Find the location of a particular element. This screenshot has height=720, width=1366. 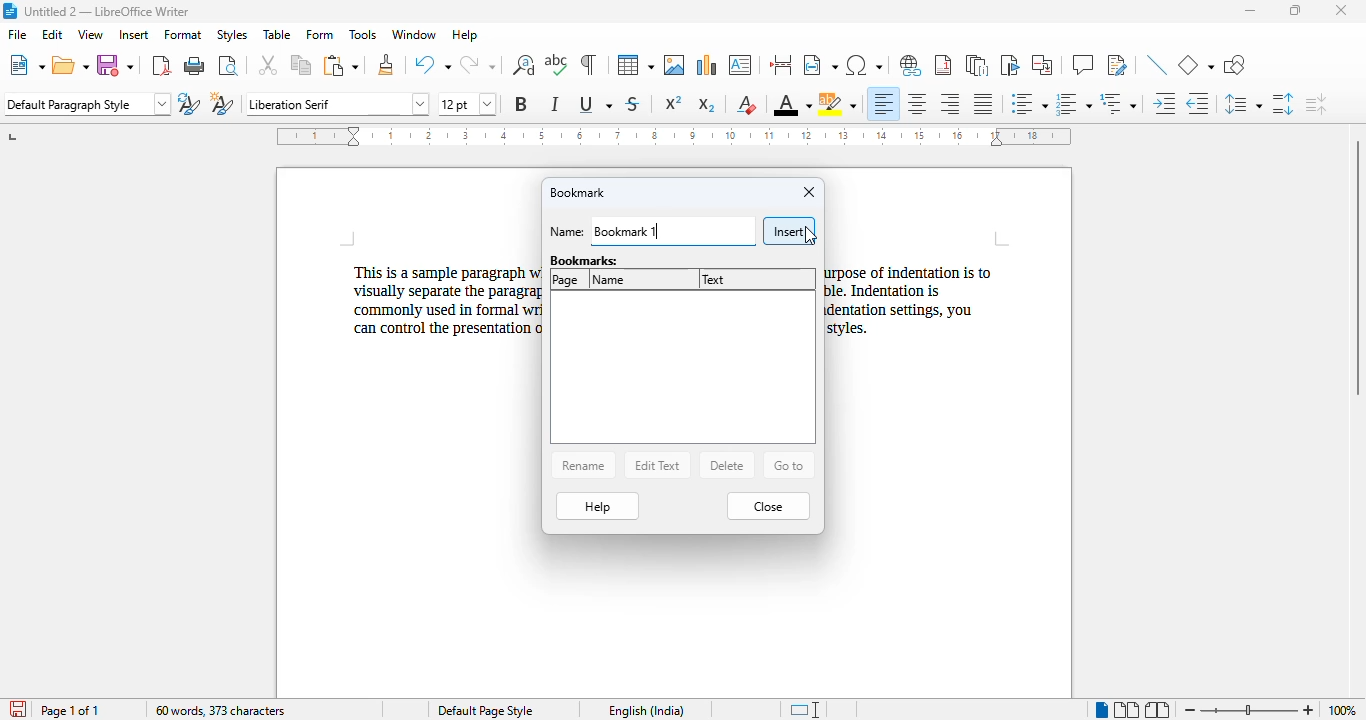

table is located at coordinates (277, 34).